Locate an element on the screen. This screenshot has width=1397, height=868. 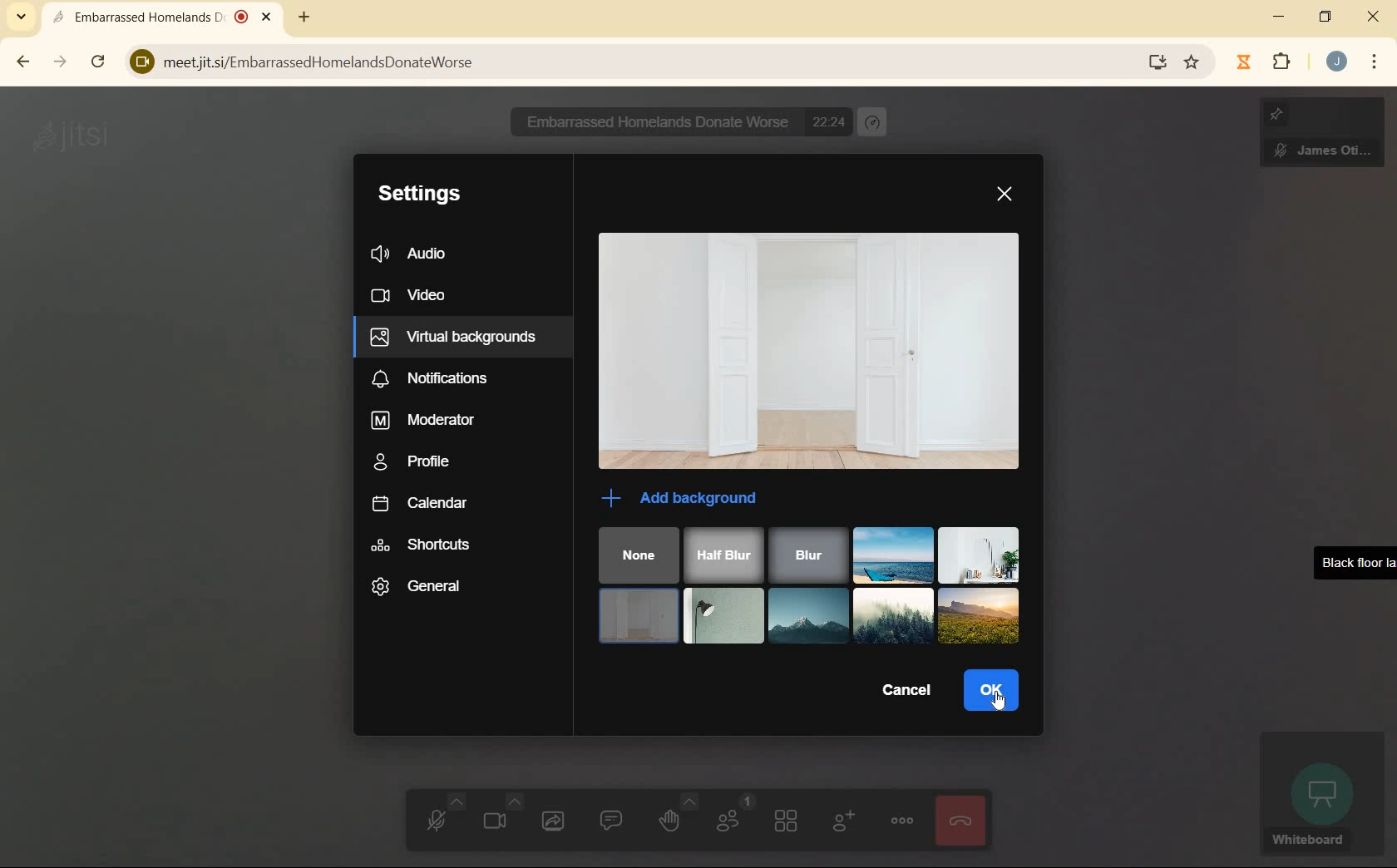
N Embarrassed Homelands Donate Worse is located at coordinates (646, 121).